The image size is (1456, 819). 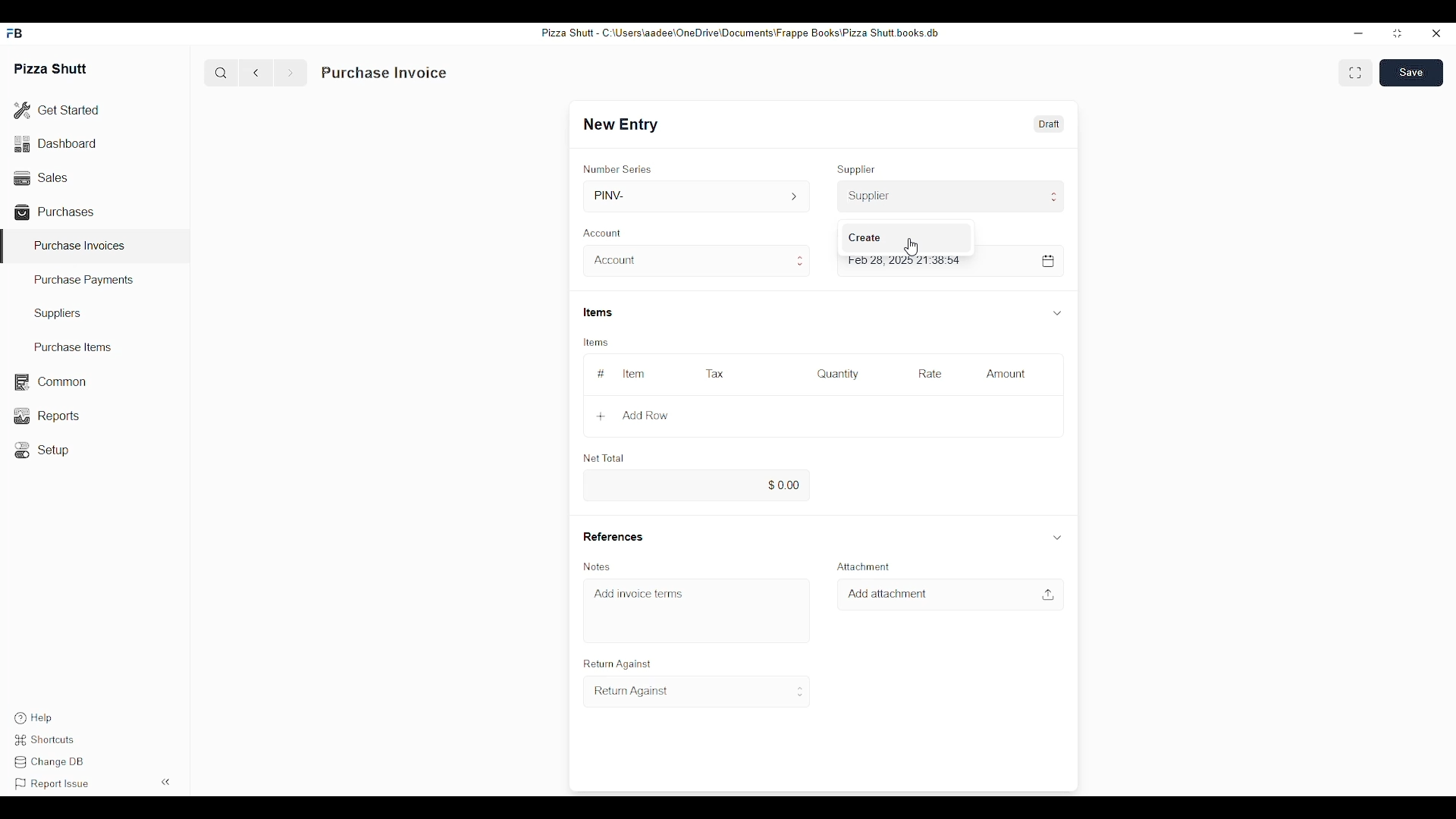 What do you see at coordinates (1006, 373) in the screenshot?
I see `Amount` at bounding box center [1006, 373].